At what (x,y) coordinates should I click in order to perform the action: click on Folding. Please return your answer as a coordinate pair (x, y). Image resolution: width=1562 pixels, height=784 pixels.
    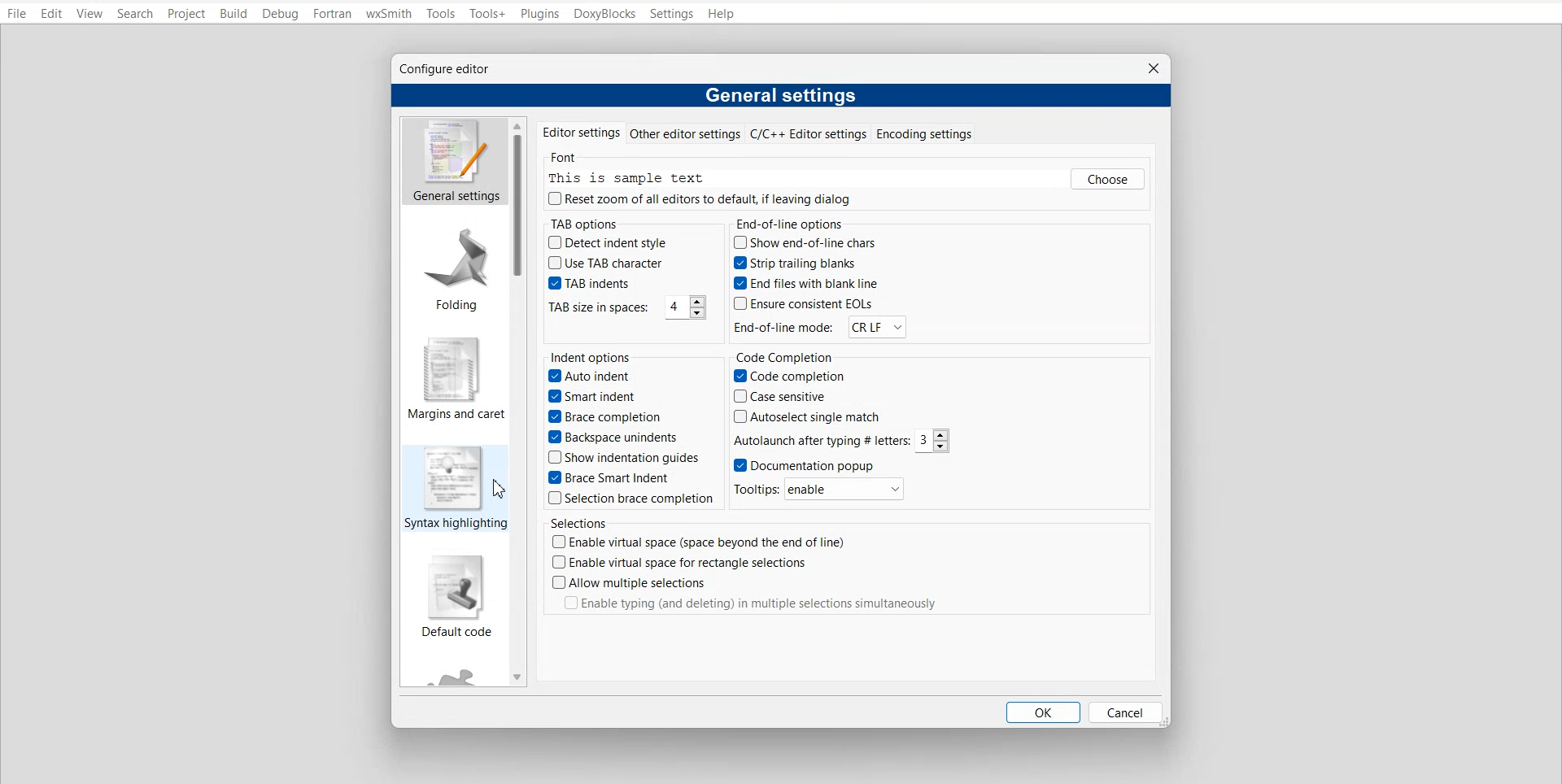
    Looking at the image, I should click on (453, 263).